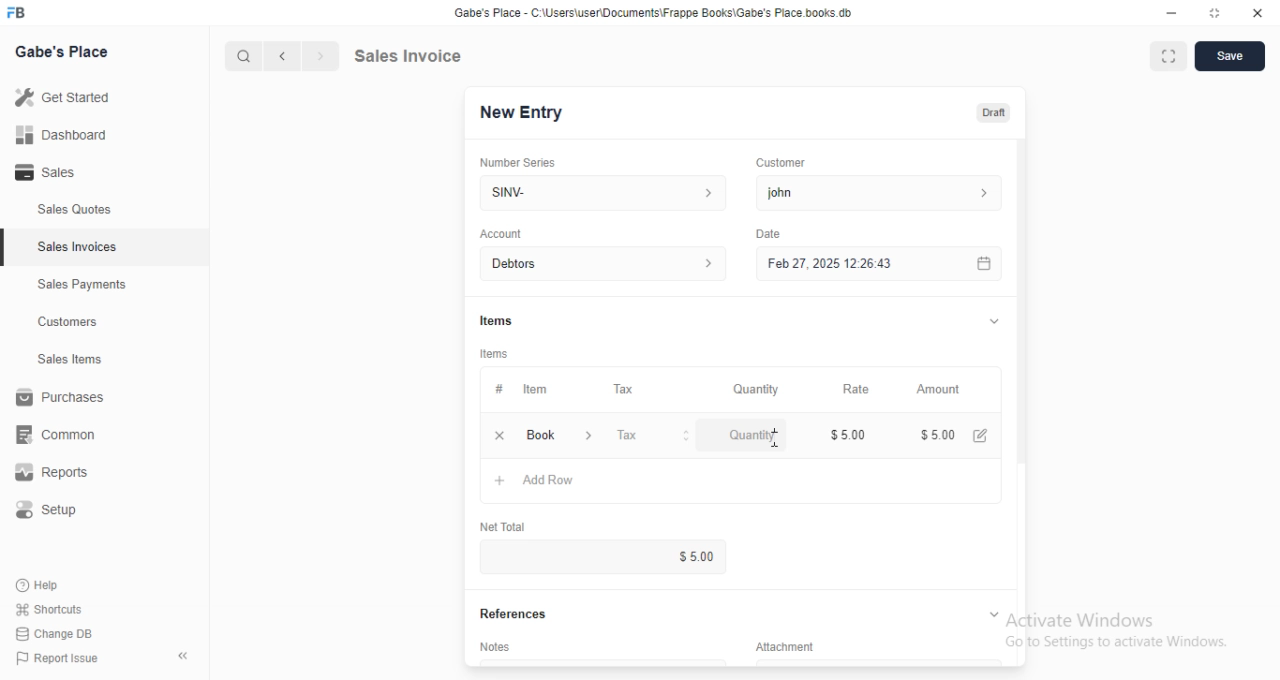 The height and width of the screenshot is (680, 1280). What do you see at coordinates (451, 56) in the screenshot?
I see `Sales Invoice` at bounding box center [451, 56].